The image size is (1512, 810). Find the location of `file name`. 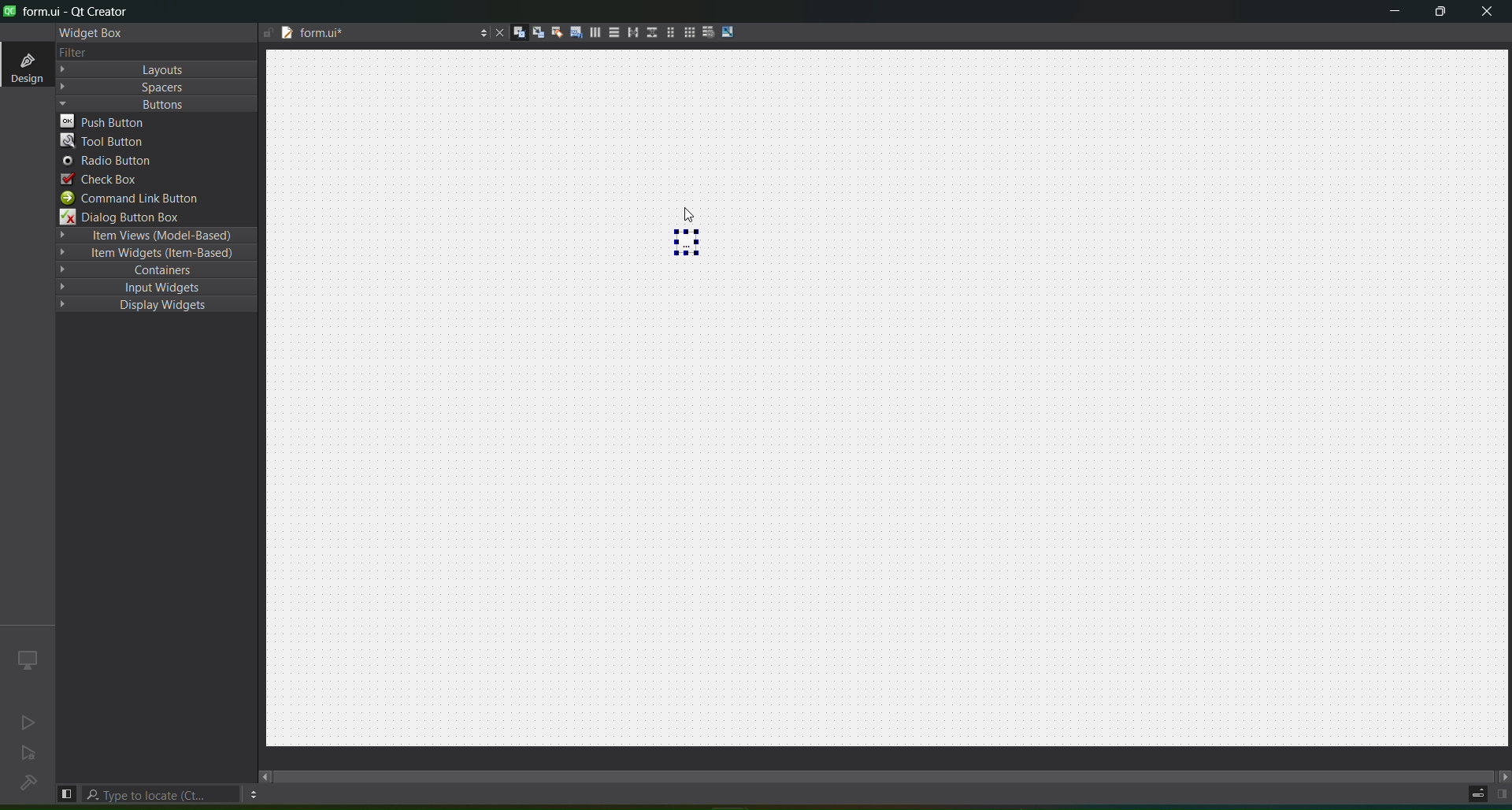

file name is located at coordinates (374, 35).